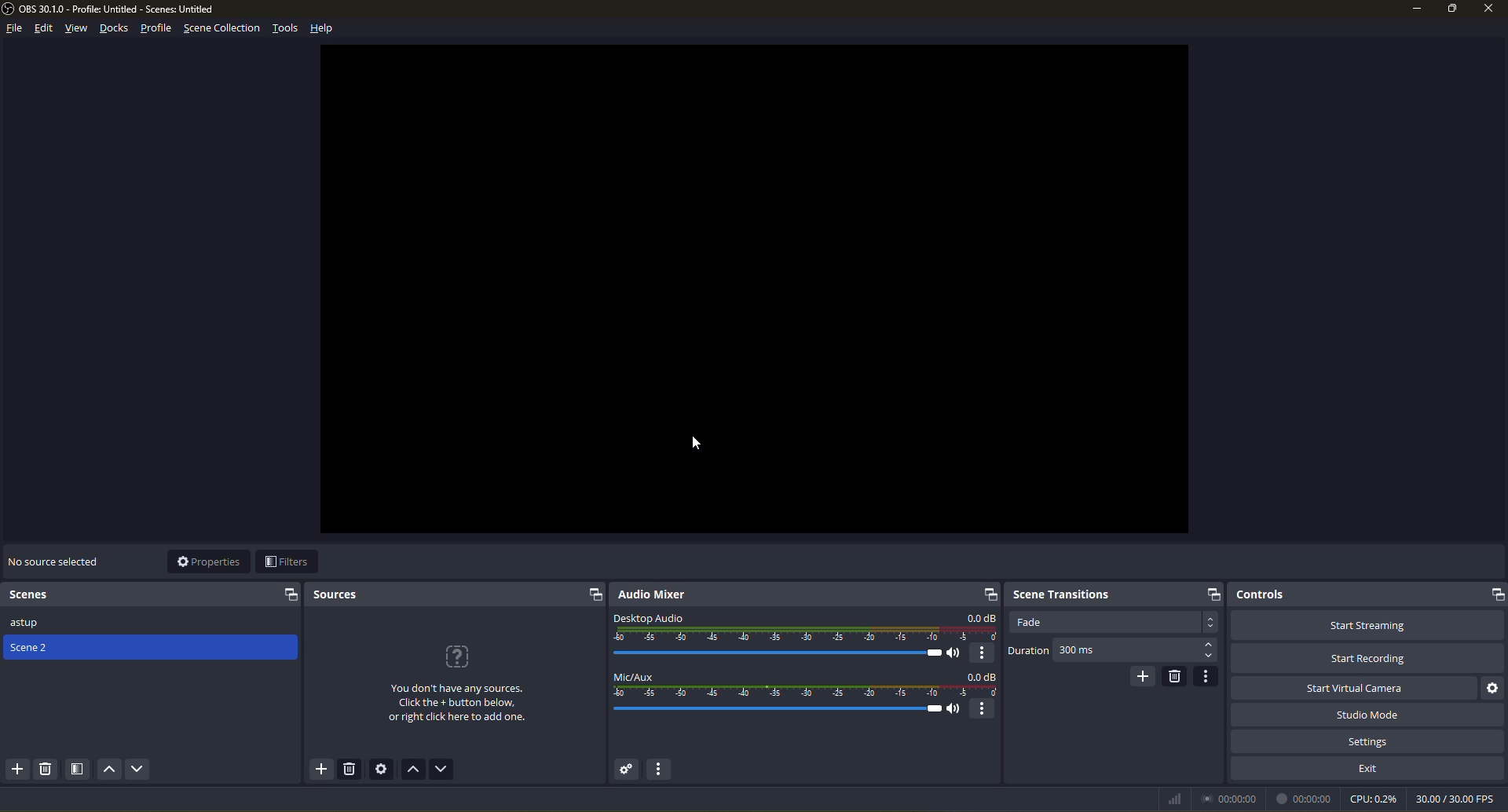  What do you see at coordinates (350, 769) in the screenshot?
I see `remove selected source` at bounding box center [350, 769].